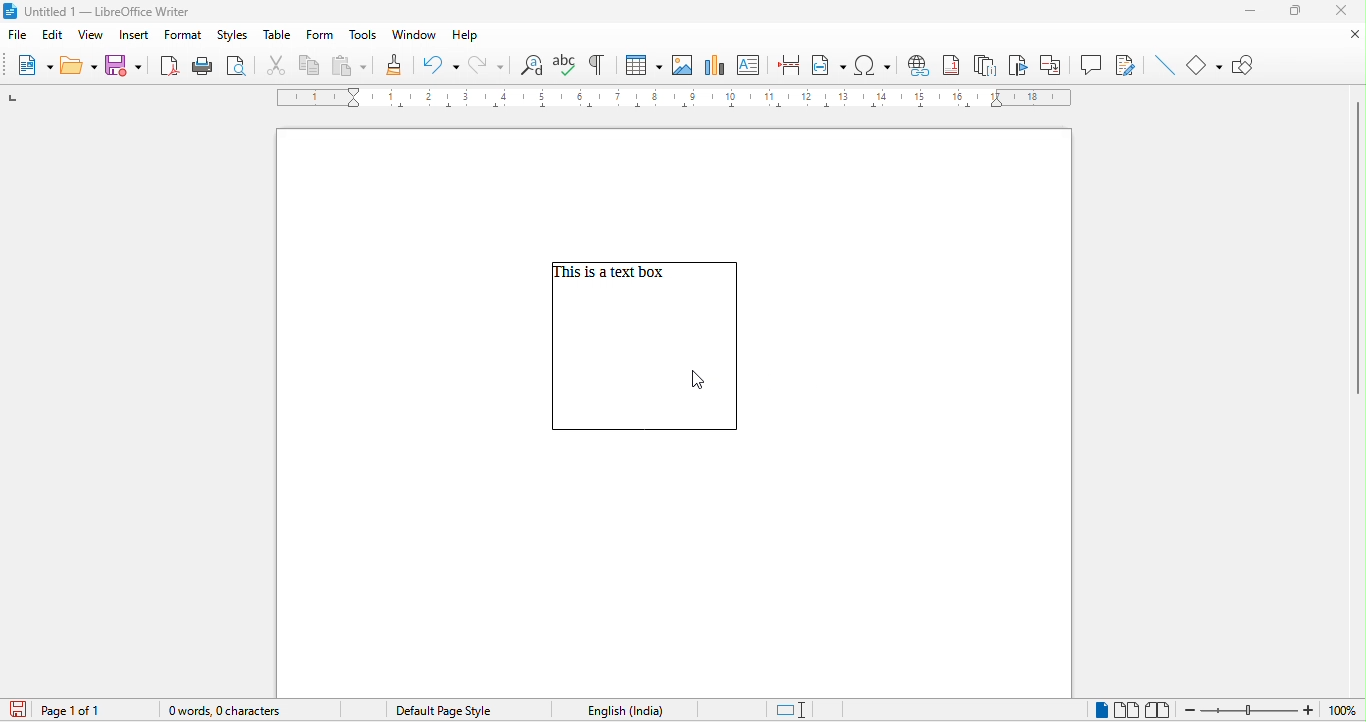  What do you see at coordinates (276, 37) in the screenshot?
I see `table` at bounding box center [276, 37].